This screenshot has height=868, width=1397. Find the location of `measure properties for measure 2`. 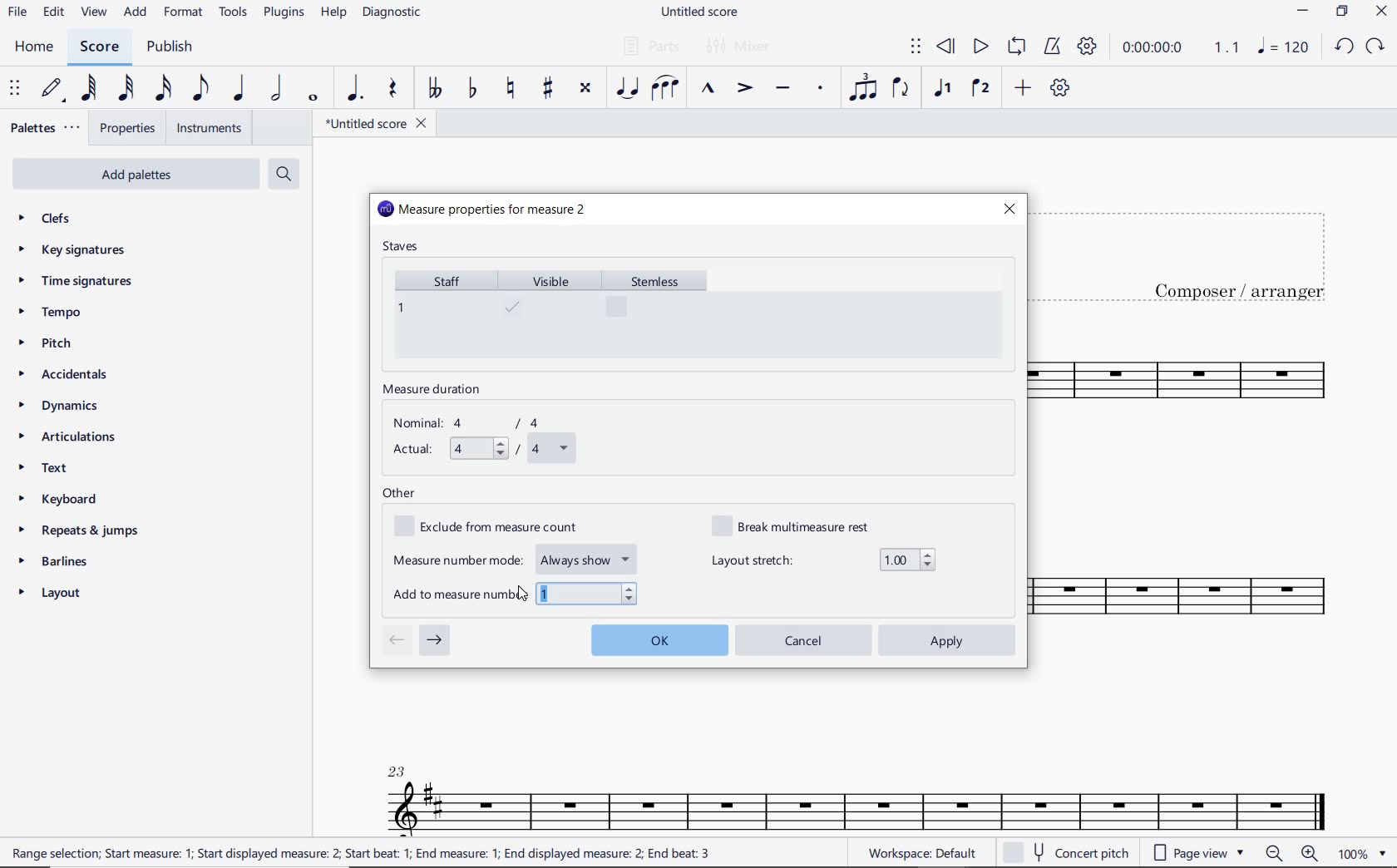

measure properties for measure 2 is located at coordinates (483, 210).